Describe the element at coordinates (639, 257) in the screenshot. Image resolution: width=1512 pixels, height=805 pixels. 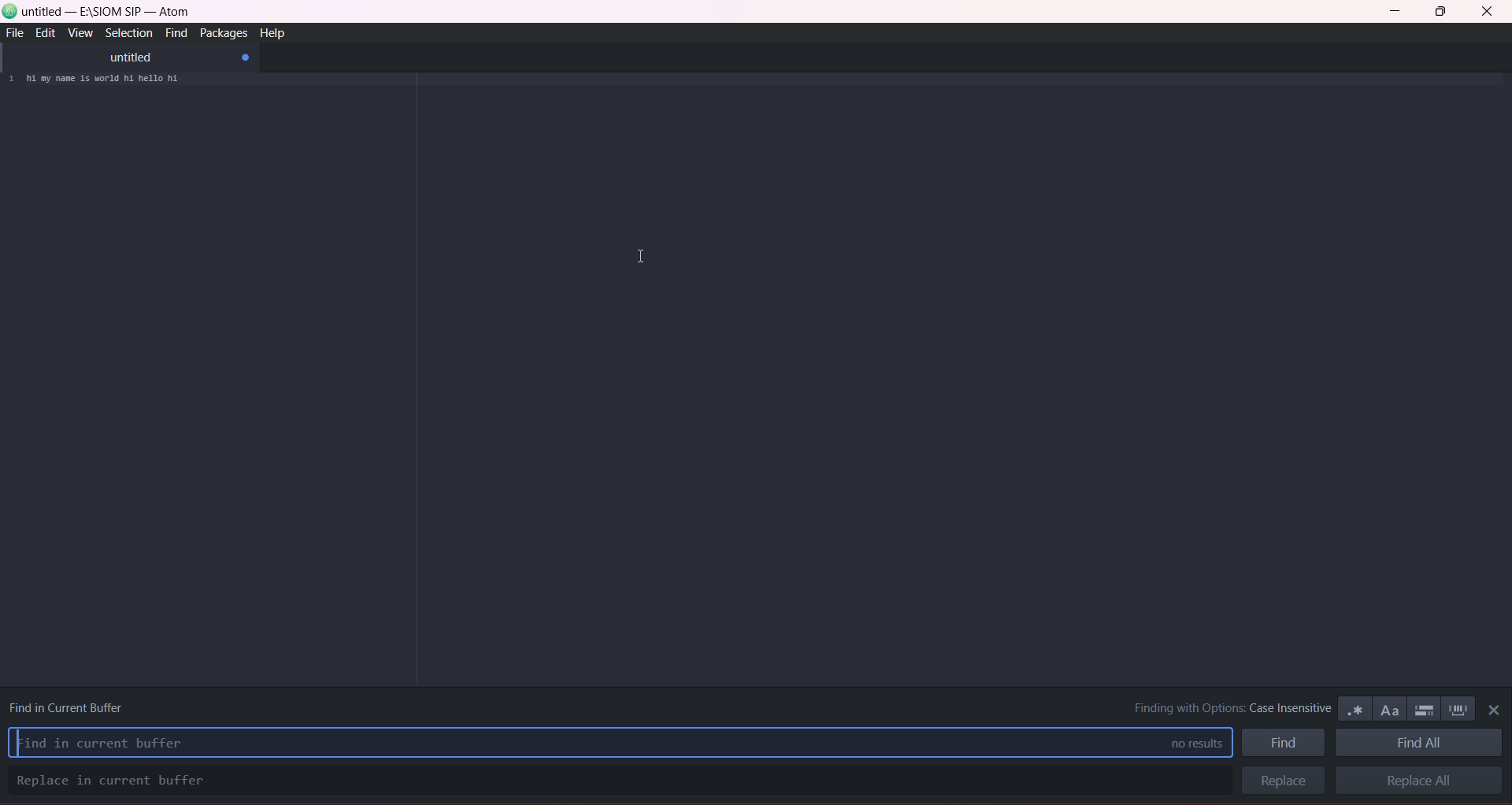
I see `cursor` at that location.